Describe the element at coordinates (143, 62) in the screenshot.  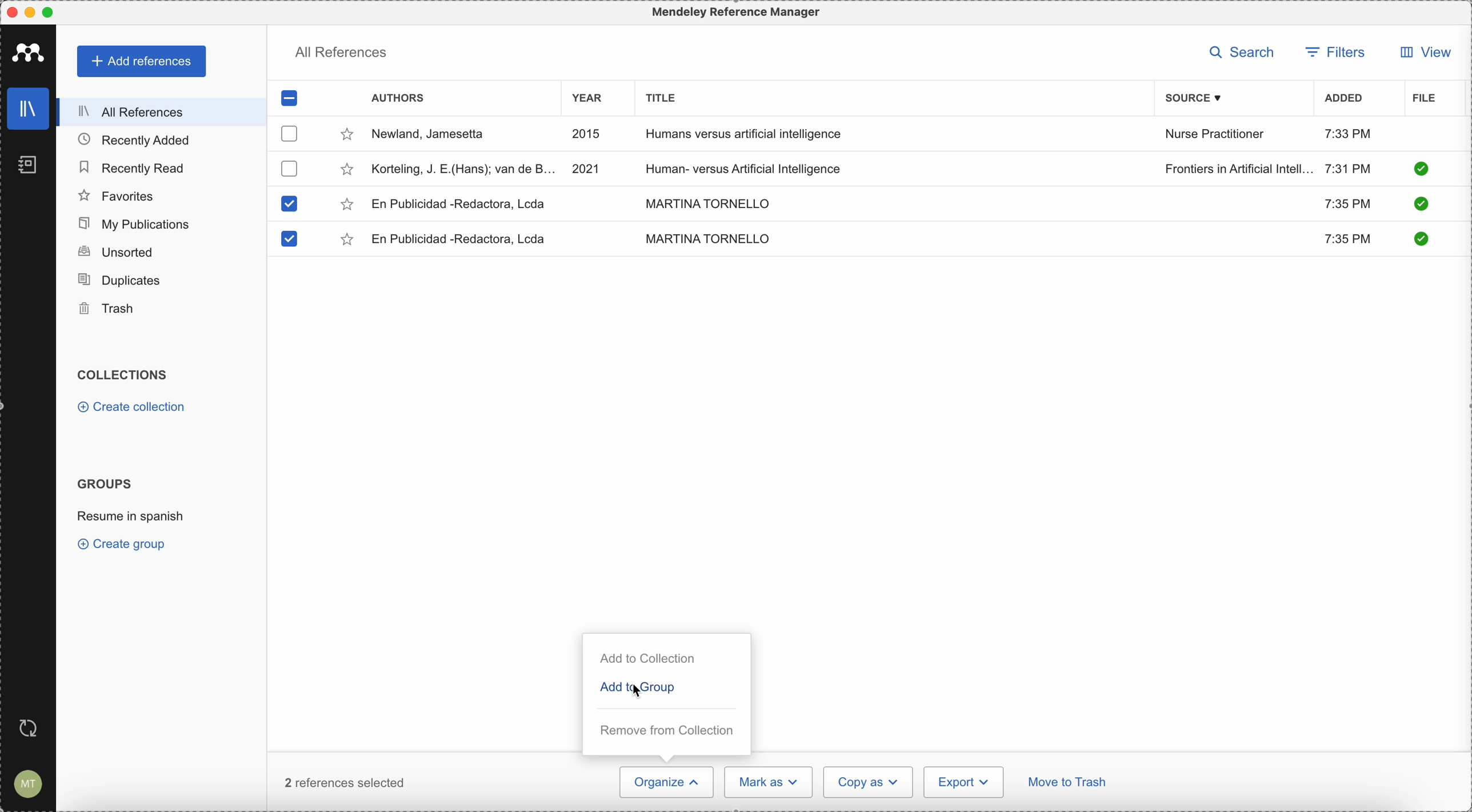
I see `add references` at that location.